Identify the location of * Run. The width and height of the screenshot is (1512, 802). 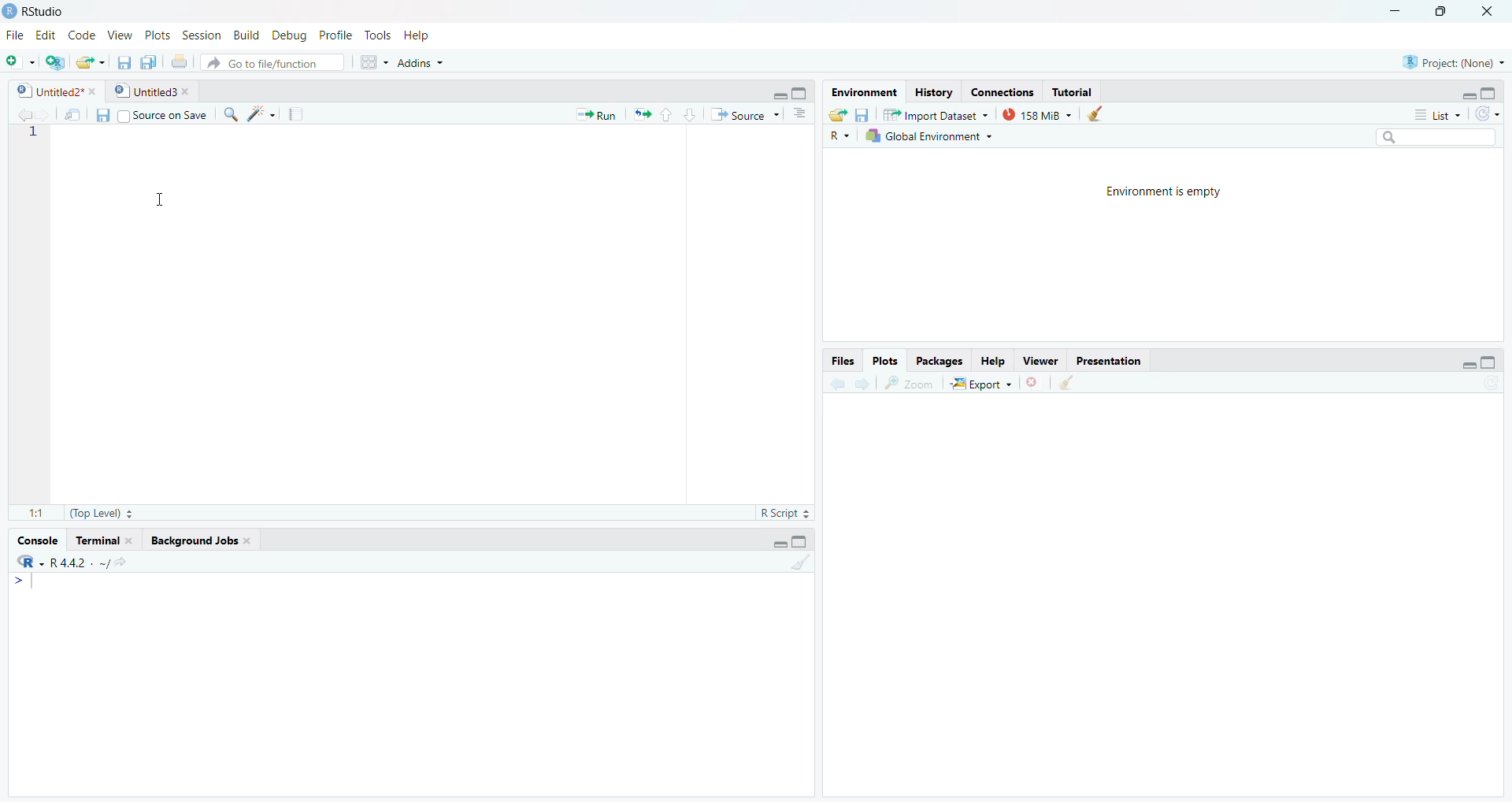
(595, 113).